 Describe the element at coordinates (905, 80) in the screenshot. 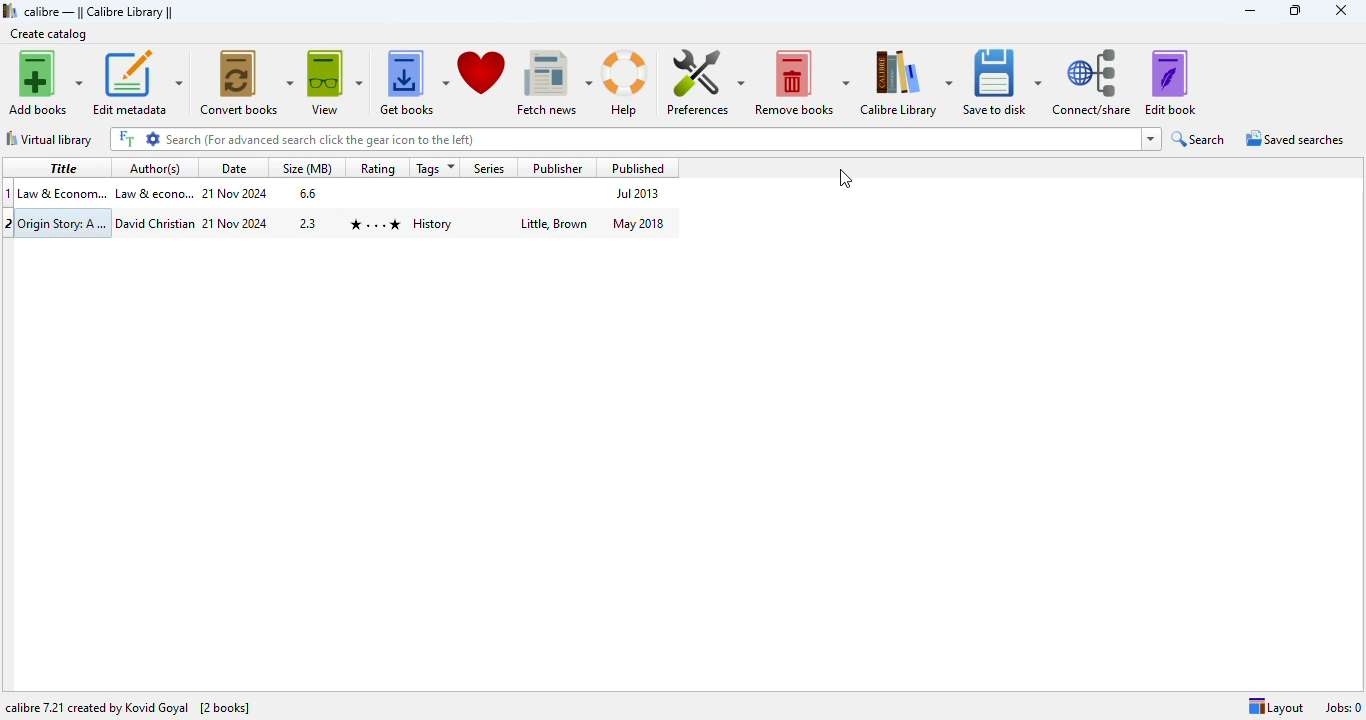

I see `calibre library` at that location.